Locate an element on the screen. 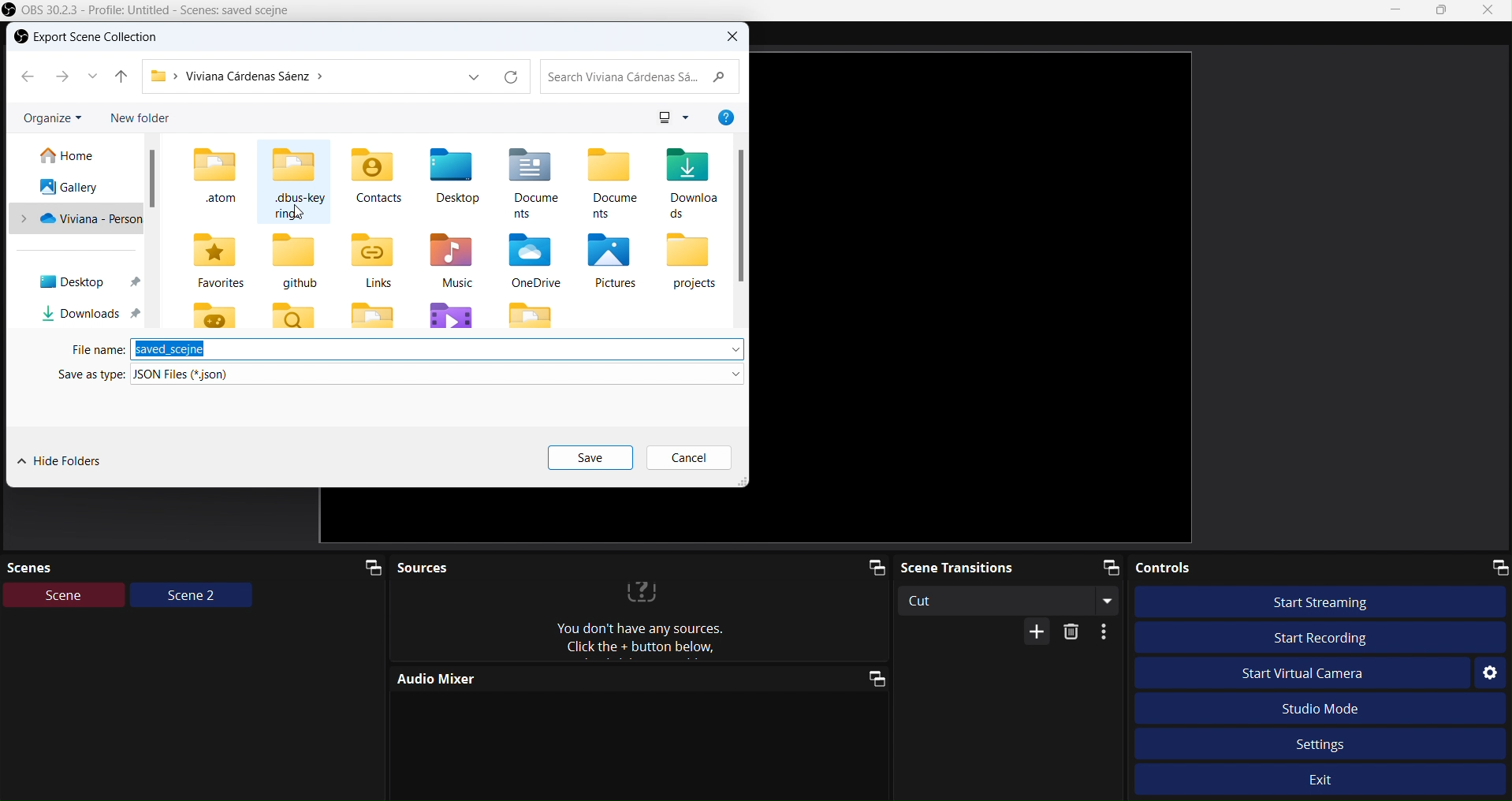 This screenshot has width=1512, height=801. File name is located at coordinates (405, 349).